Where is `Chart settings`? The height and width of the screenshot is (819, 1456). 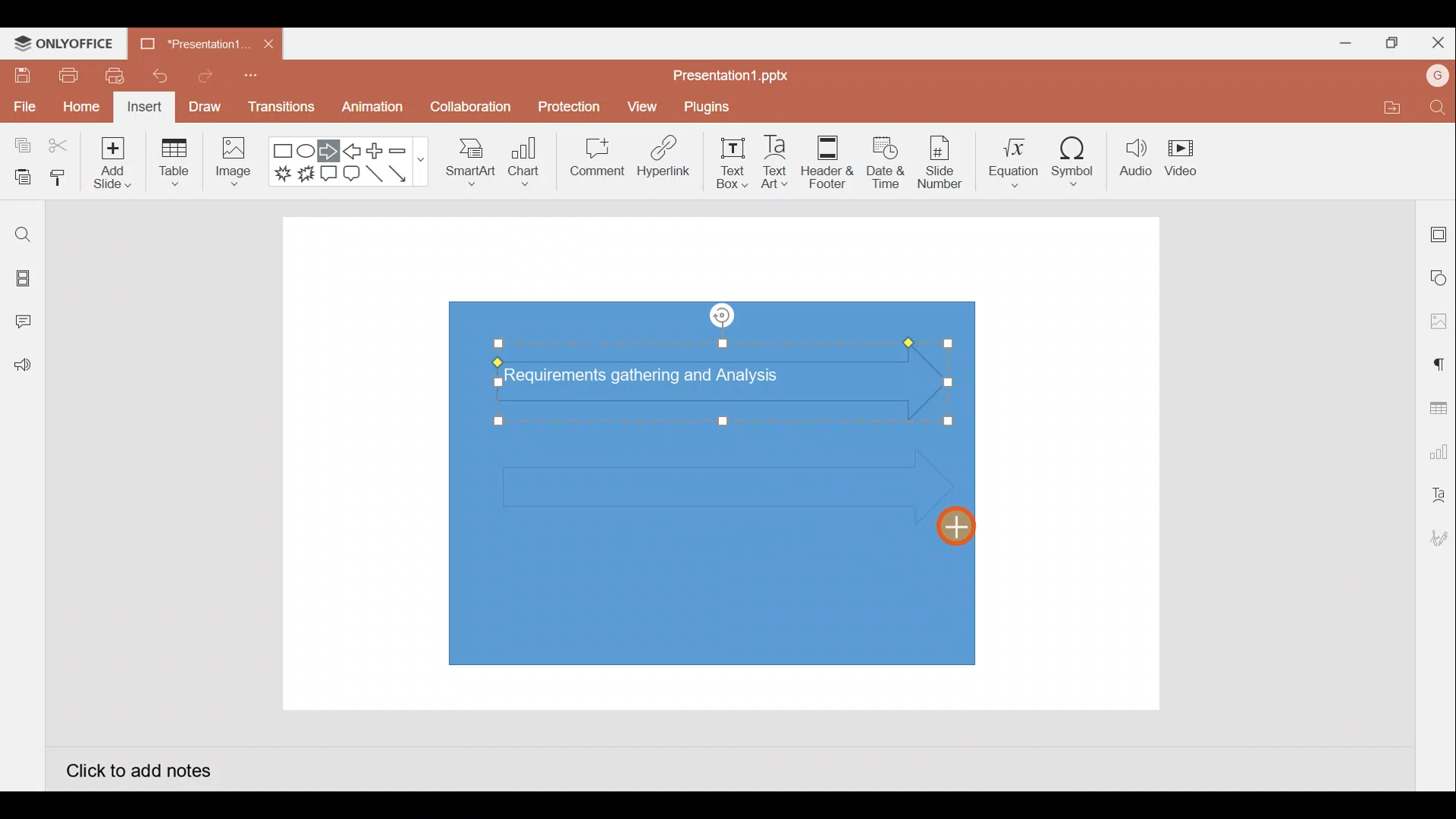 Chart settings is located at coordinates (1436, 449).